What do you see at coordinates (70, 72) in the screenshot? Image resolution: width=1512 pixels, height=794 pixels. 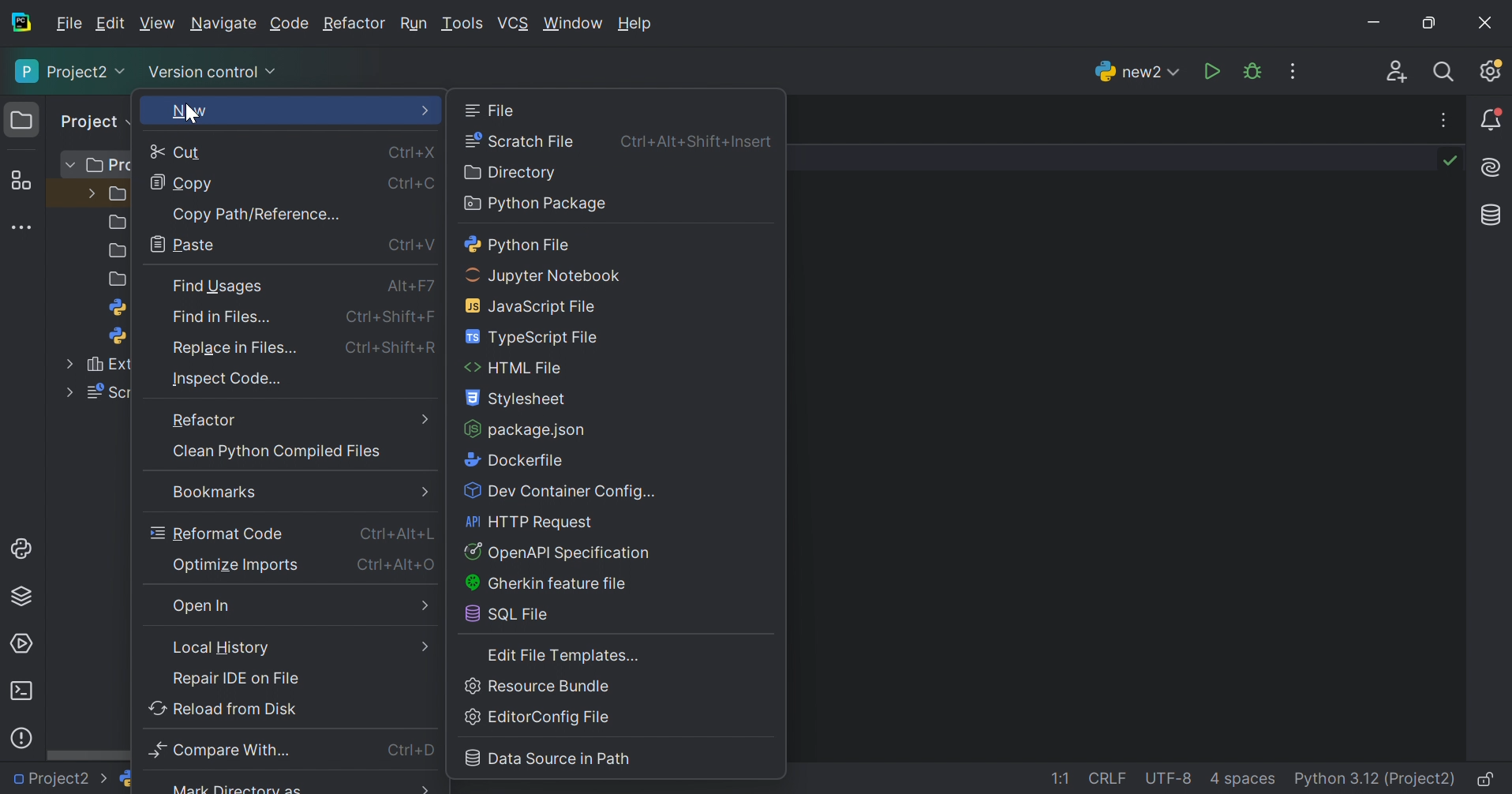 I see `Project2` at bounding box center [70, 72].